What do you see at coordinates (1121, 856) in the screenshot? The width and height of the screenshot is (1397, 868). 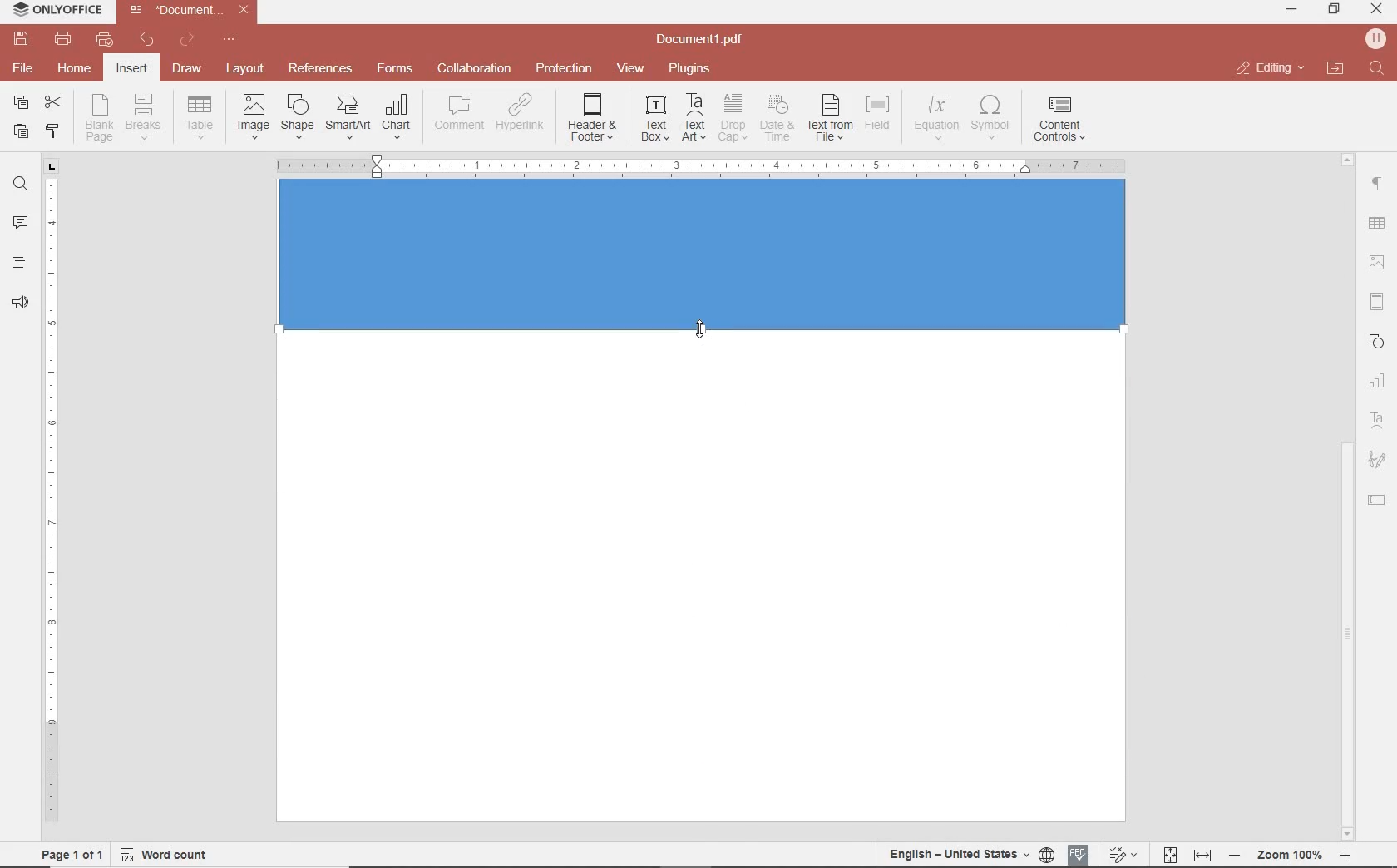 I see `track change` at bounding box center [1121, 856].